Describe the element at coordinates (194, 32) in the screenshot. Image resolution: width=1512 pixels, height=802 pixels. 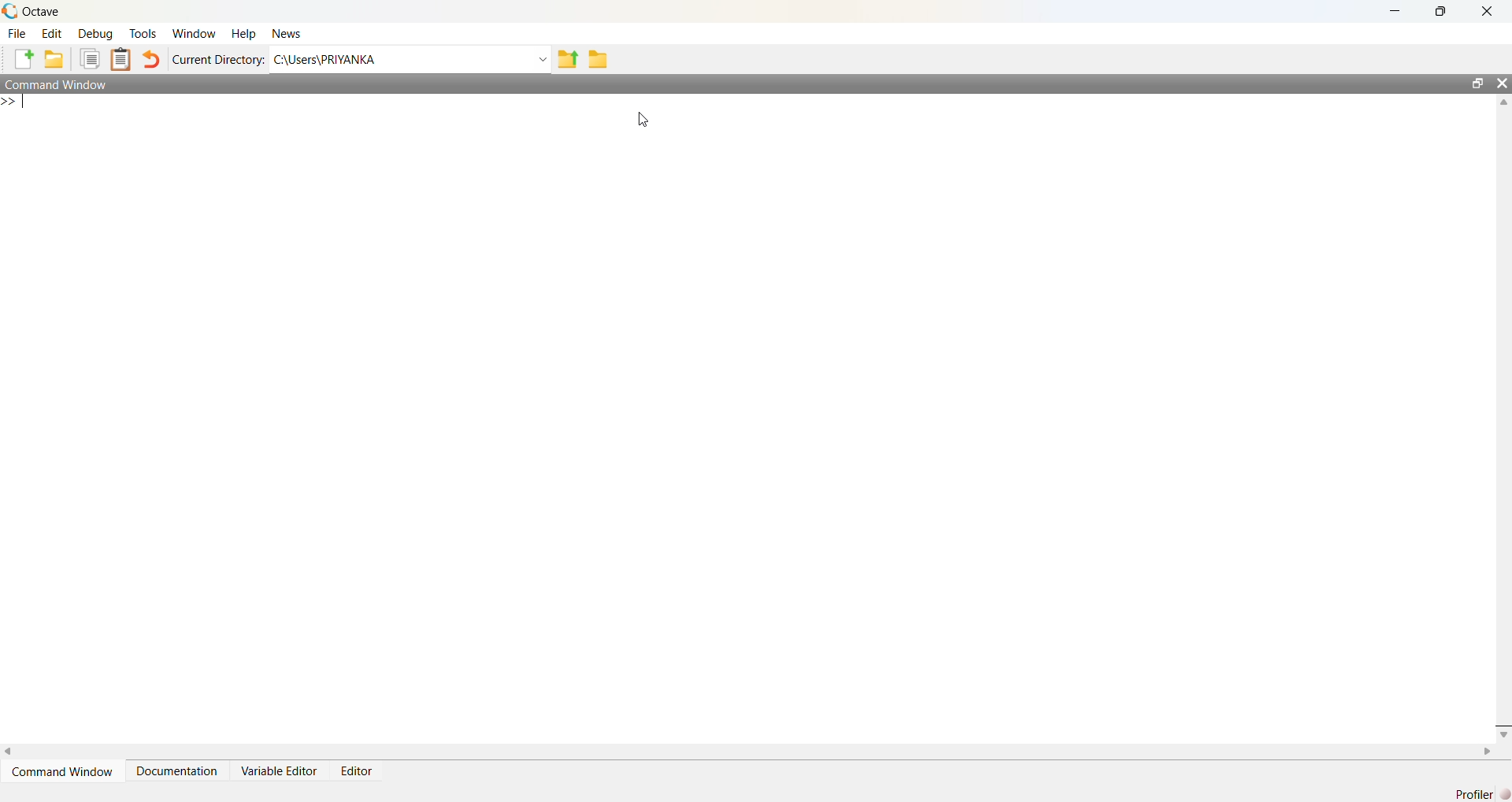
I see `Window` at that location.